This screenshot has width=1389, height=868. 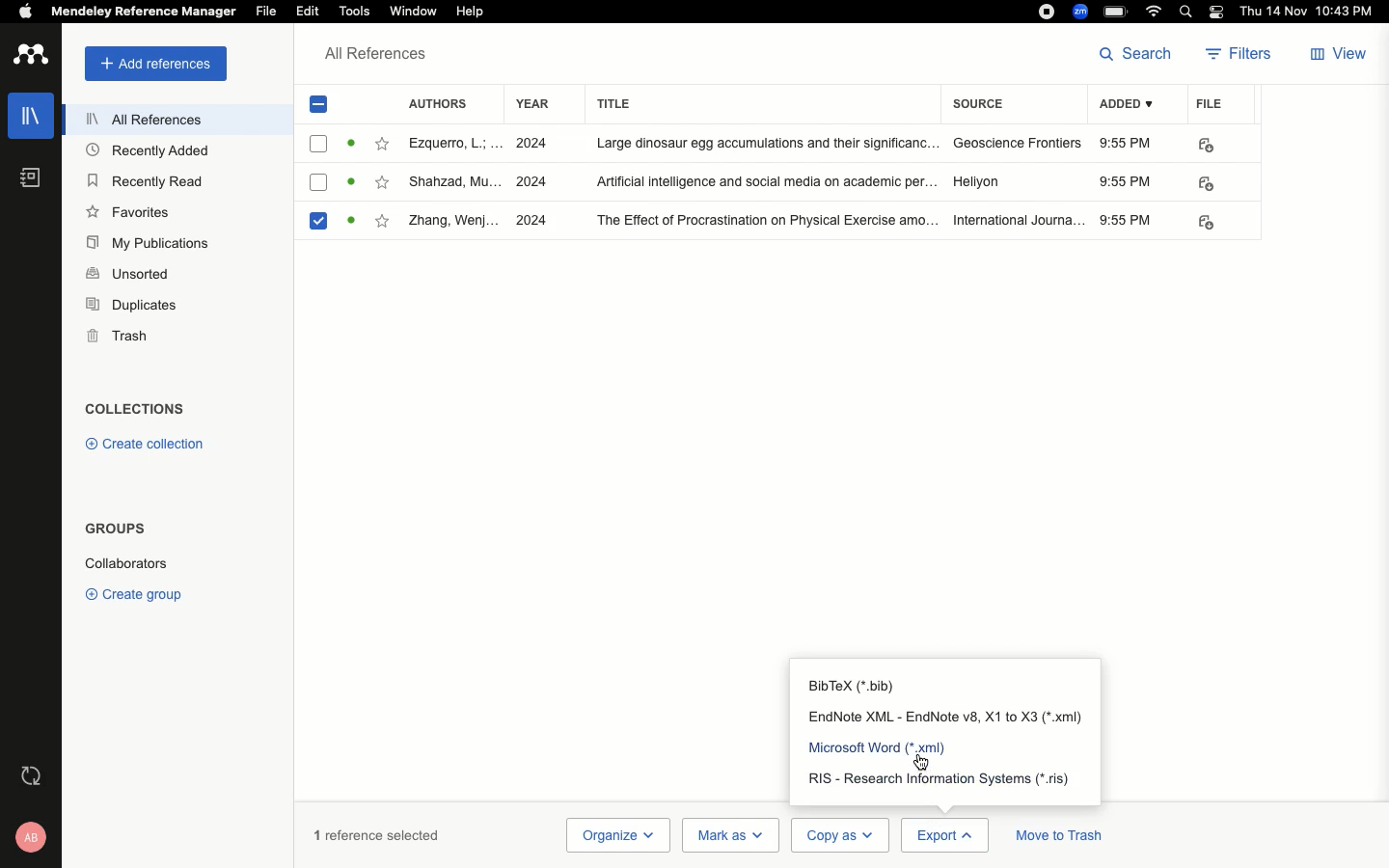 What do you see at coordinates (1117, 14) in the screenshot?
I see `Charge` at bounding box center [1117, 14].